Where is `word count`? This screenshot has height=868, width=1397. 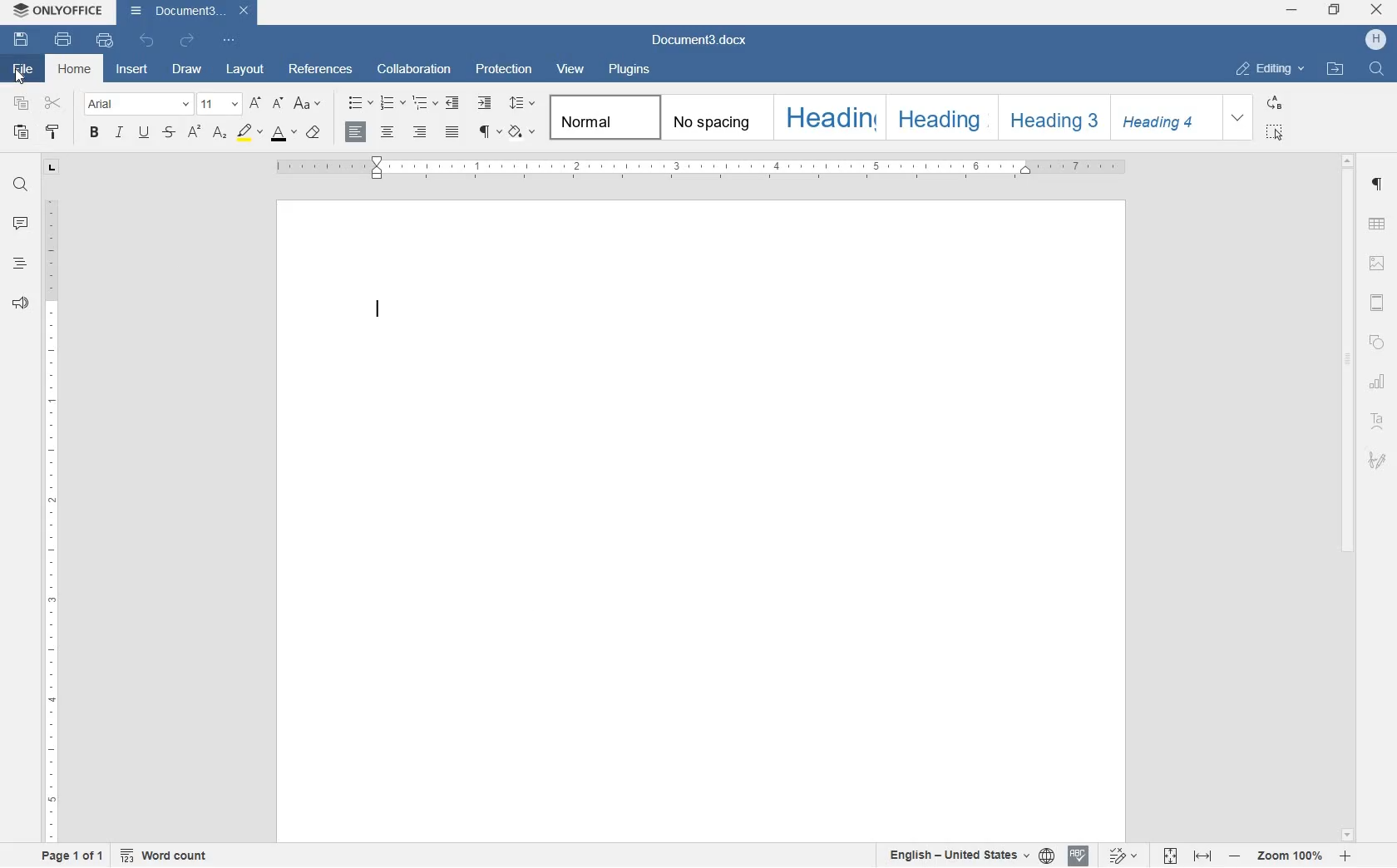 word count is located at coordinates (167, 854).